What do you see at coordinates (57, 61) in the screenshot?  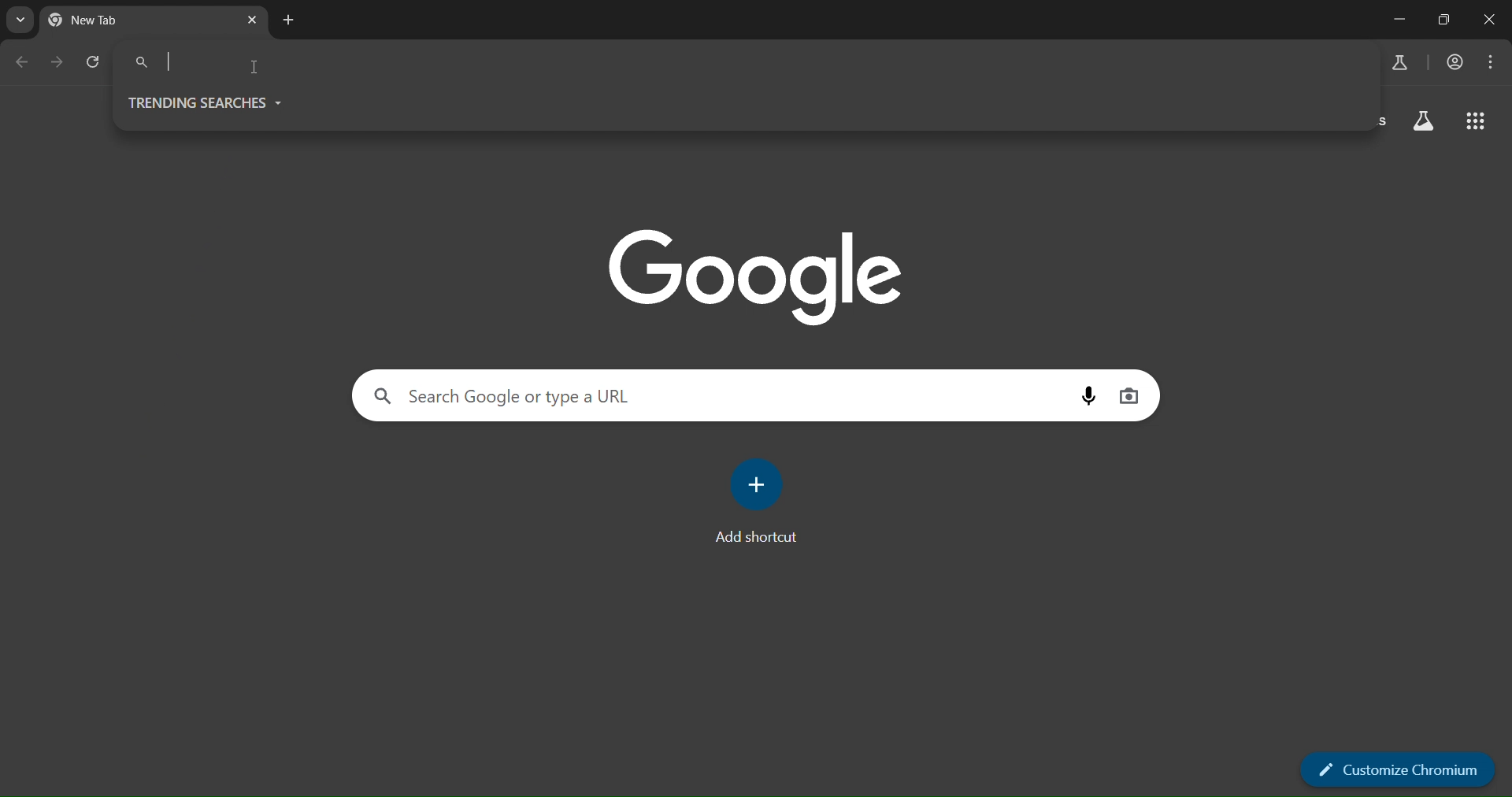 I see `go forward 1 page` at bounding box center [57, 61].